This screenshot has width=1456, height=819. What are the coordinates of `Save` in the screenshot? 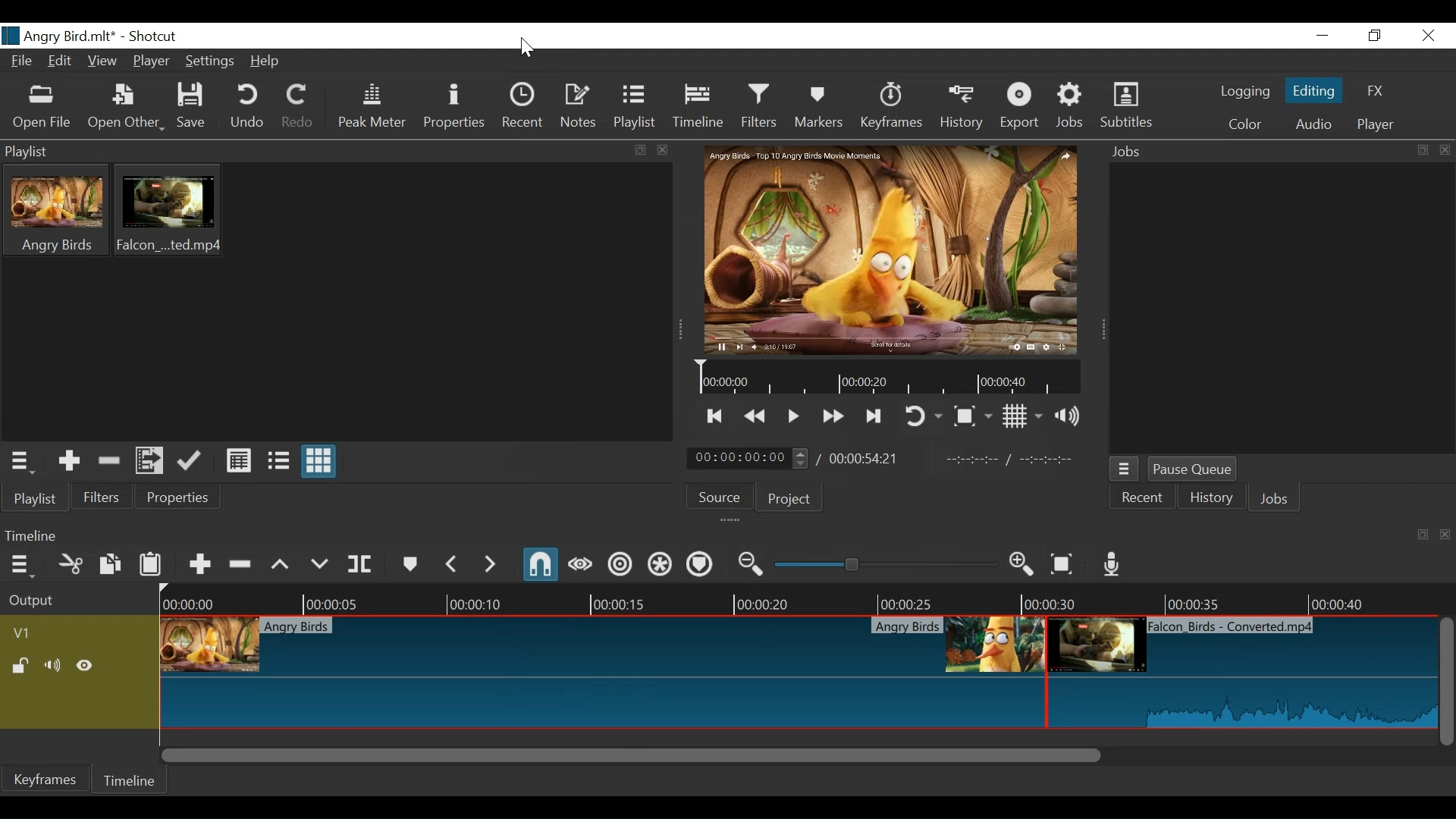 It's located at (190, 108).